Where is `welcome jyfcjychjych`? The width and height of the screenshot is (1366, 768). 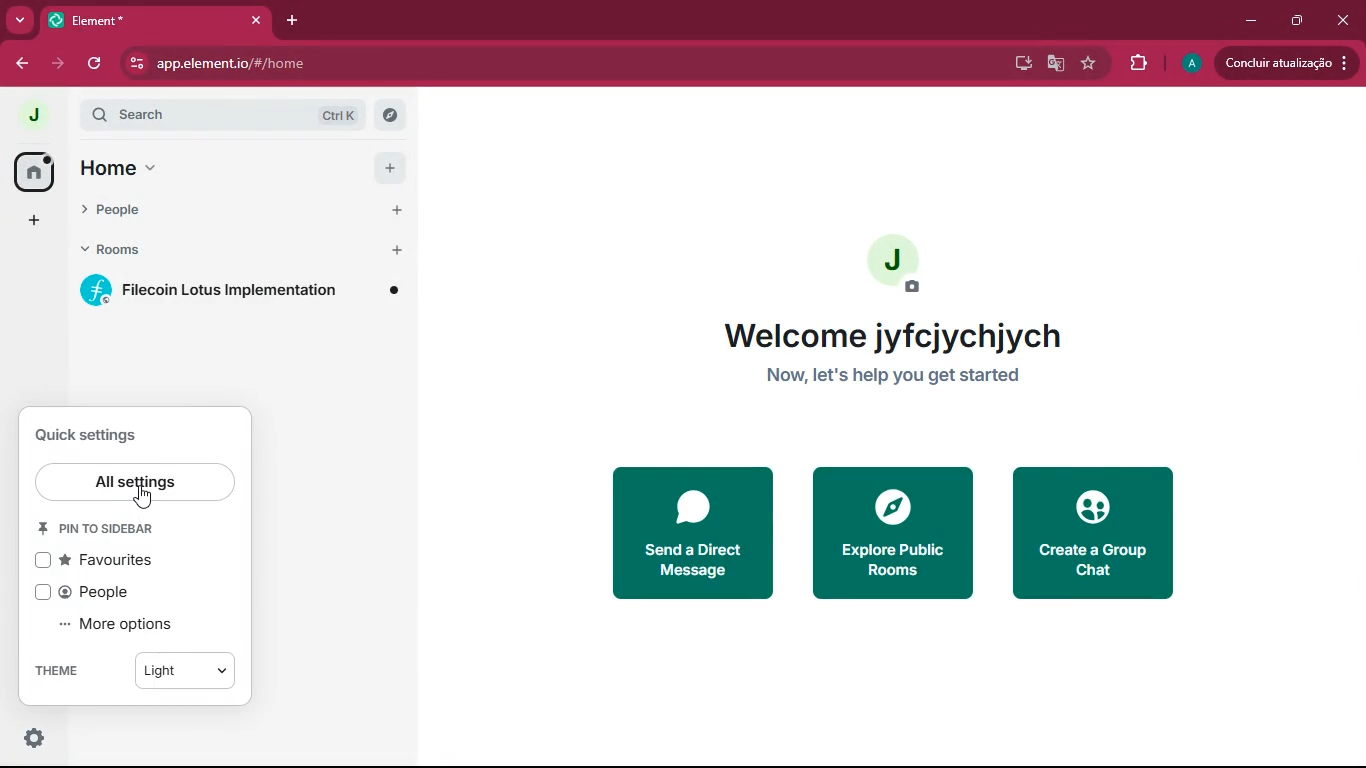
welcome jyfcjychjych is located at coordinates (892, 333).